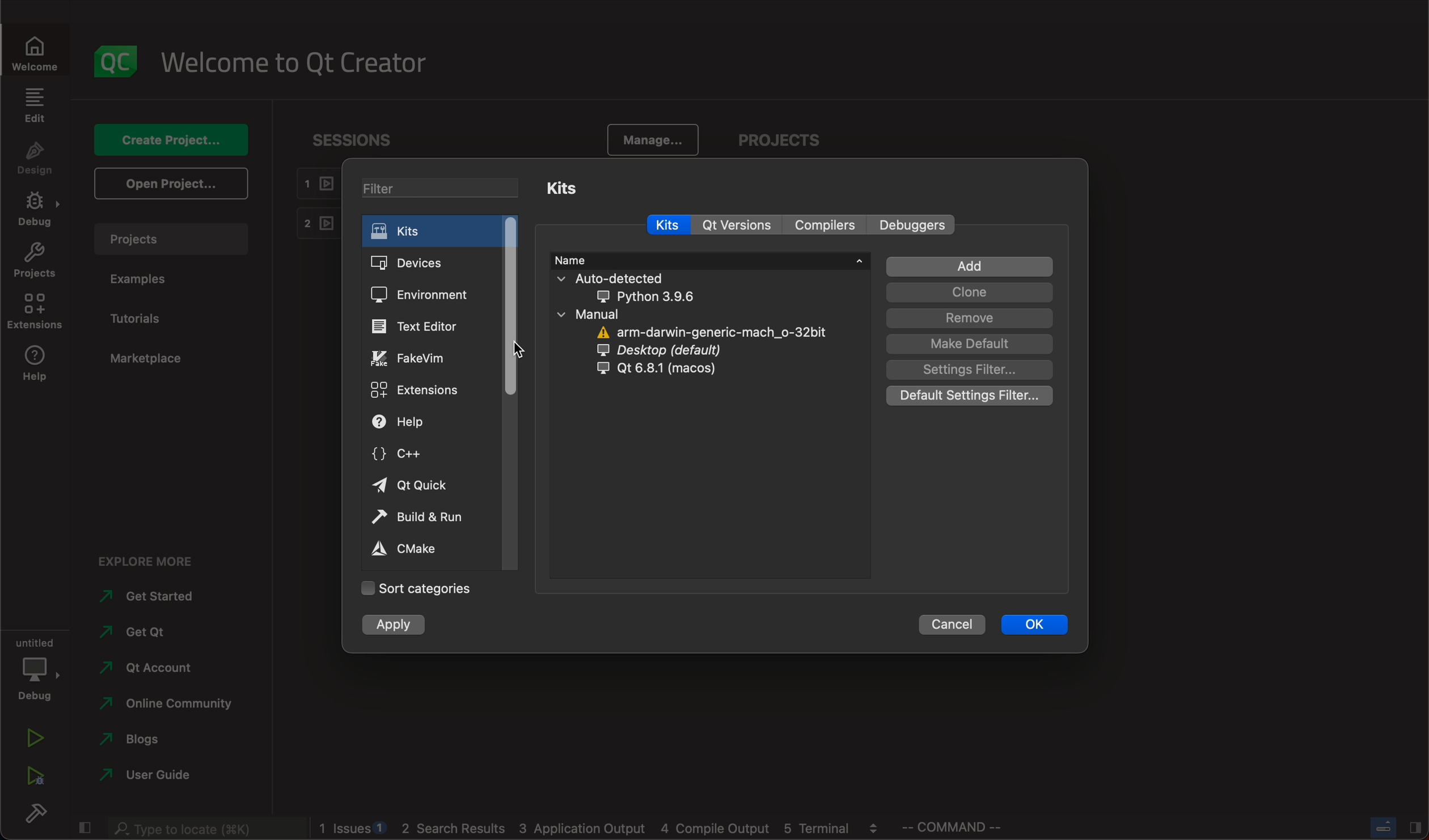 The image size is (1429, 840). I want to click on arm darwin, so click(706, 332).